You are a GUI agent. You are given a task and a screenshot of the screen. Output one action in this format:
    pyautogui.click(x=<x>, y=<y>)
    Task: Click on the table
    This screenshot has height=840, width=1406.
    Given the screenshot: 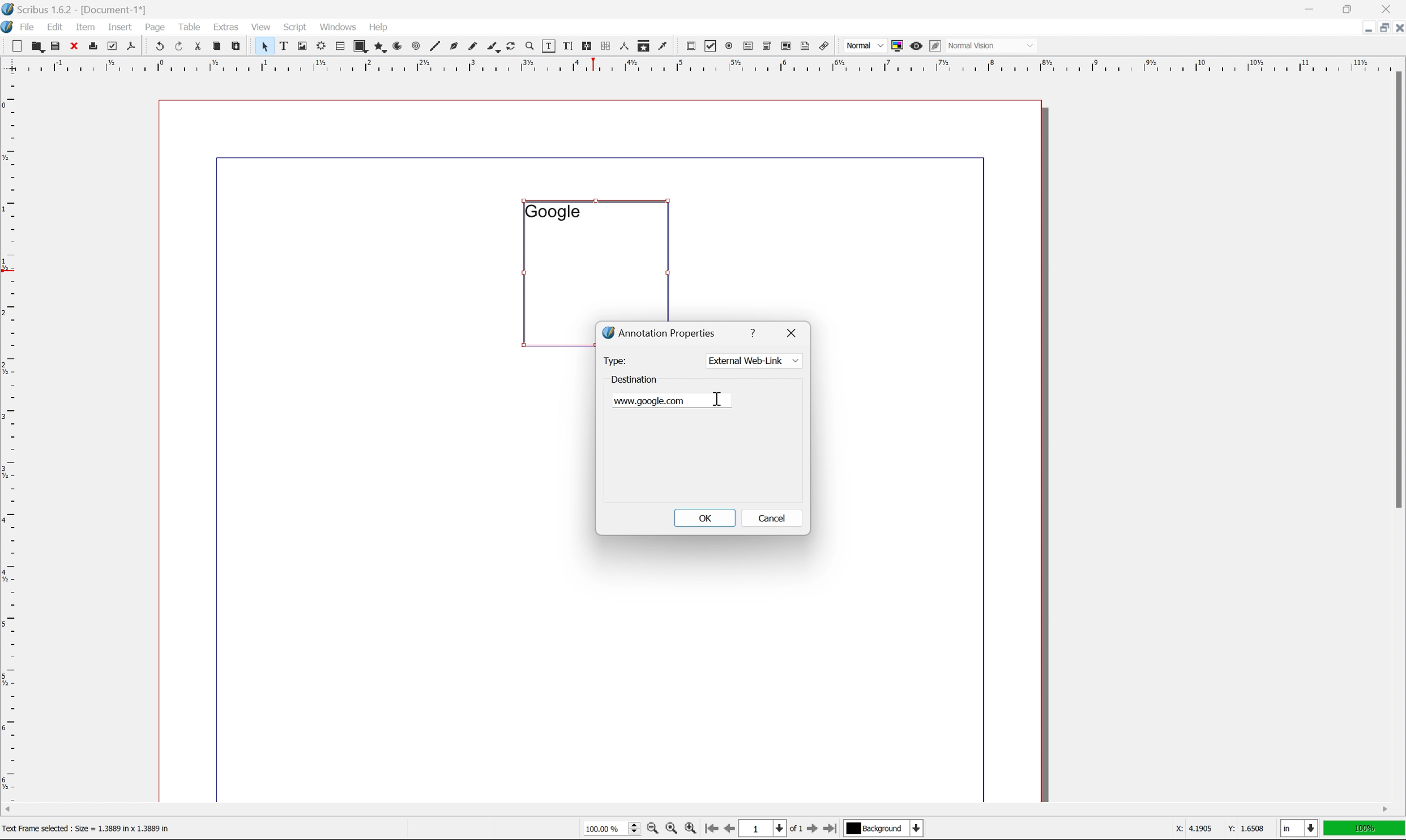 What is the action you would take?
    pyautogui.click(x=340, y=47)
    